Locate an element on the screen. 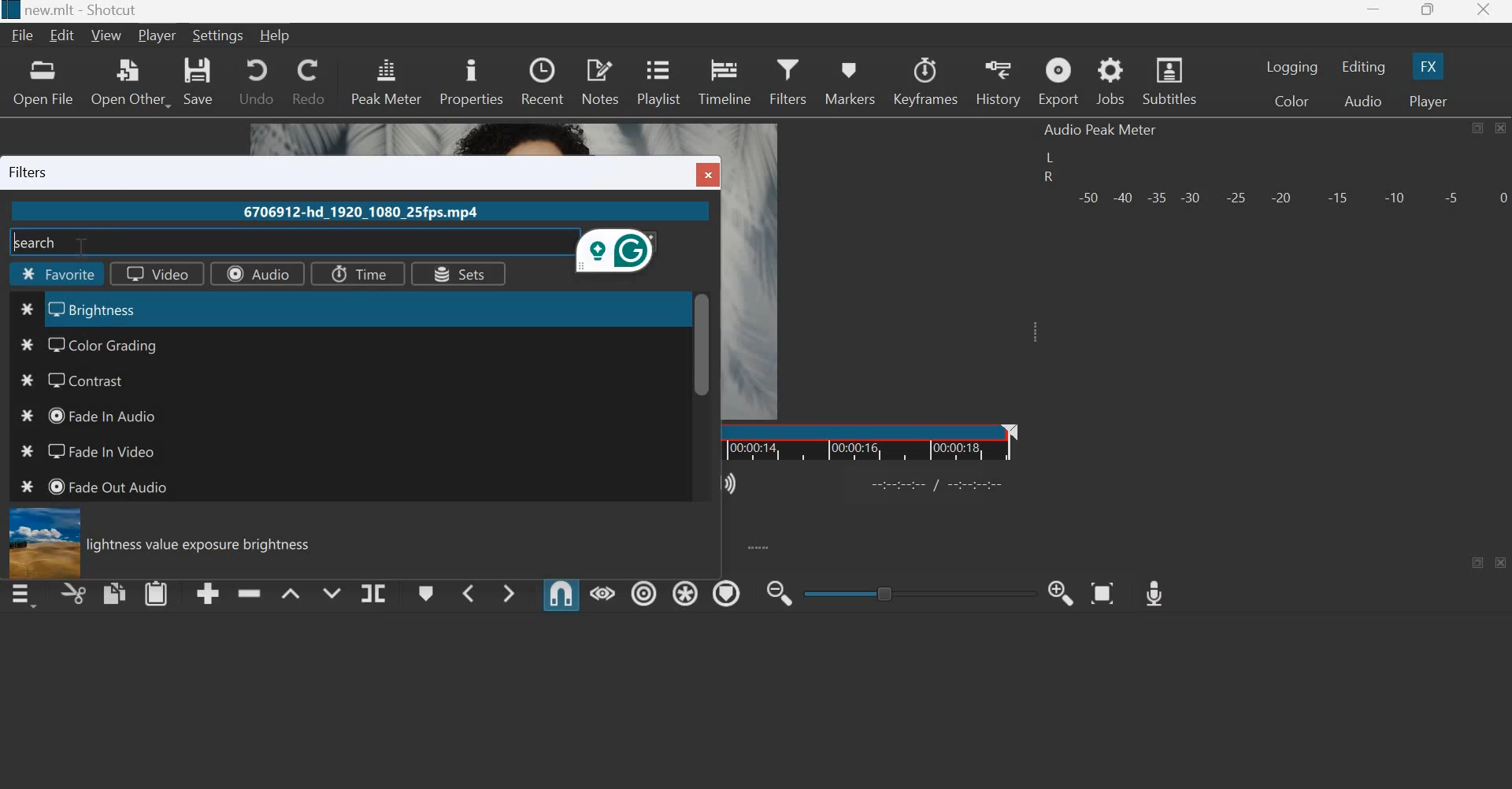 Image resolution: width=1512 pixels, height=789 pixels. Previous Marker is located at coordinates (468, 592).